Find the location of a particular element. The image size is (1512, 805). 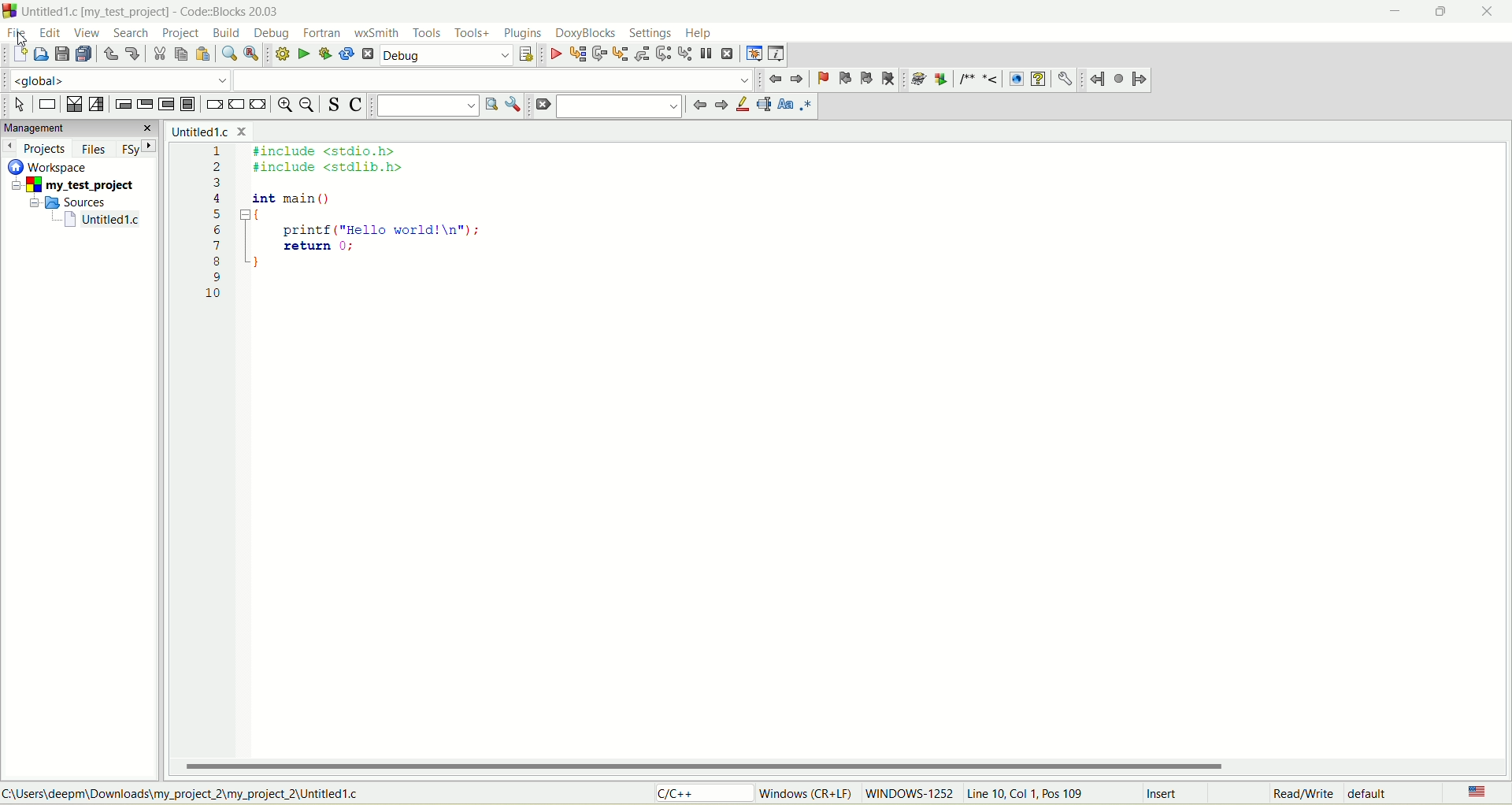

jump back is located at coordinates (1097, 80).